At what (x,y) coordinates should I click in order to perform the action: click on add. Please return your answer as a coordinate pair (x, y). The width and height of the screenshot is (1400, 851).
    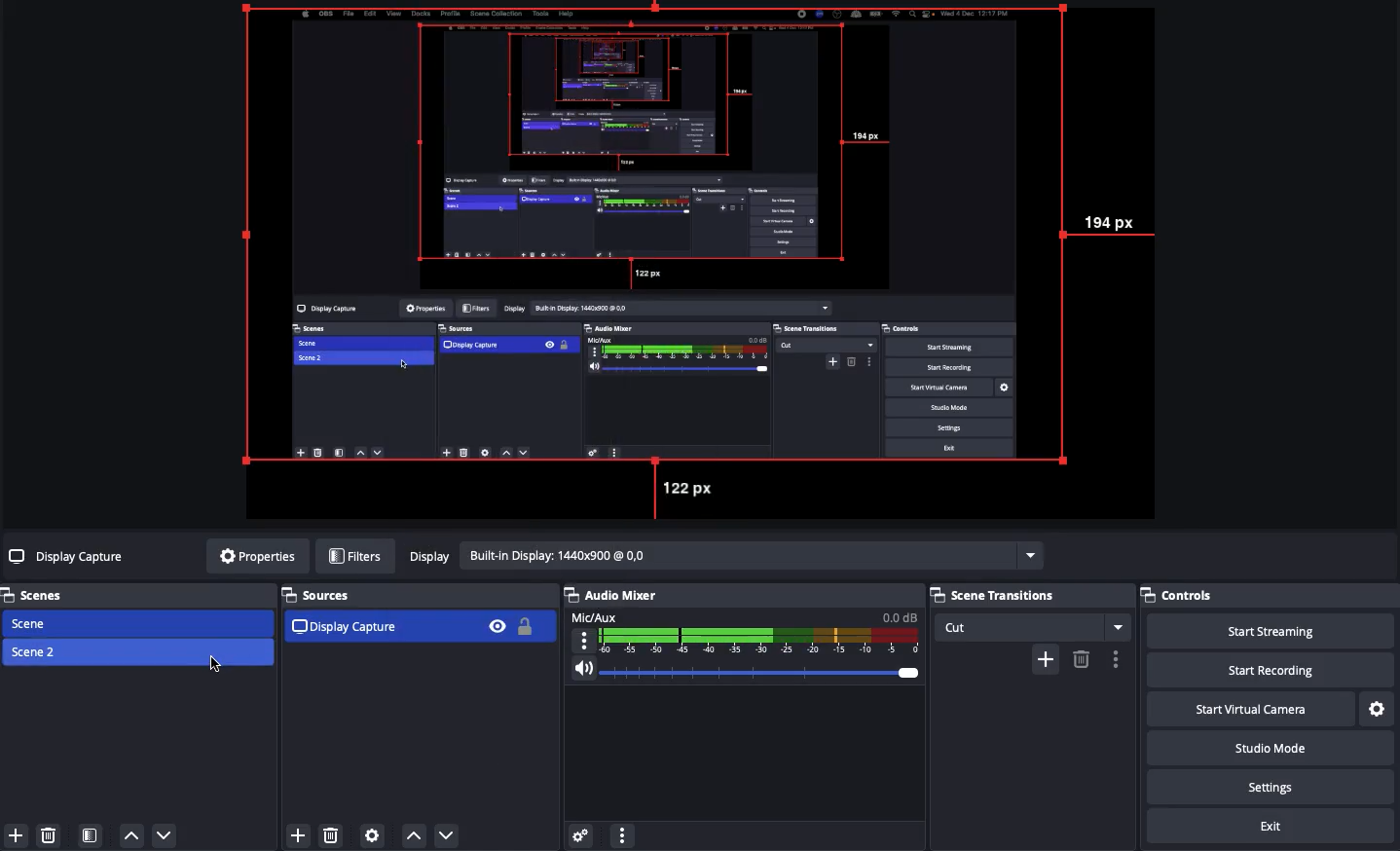
    Looking at the image, I should click on (1045, 659).